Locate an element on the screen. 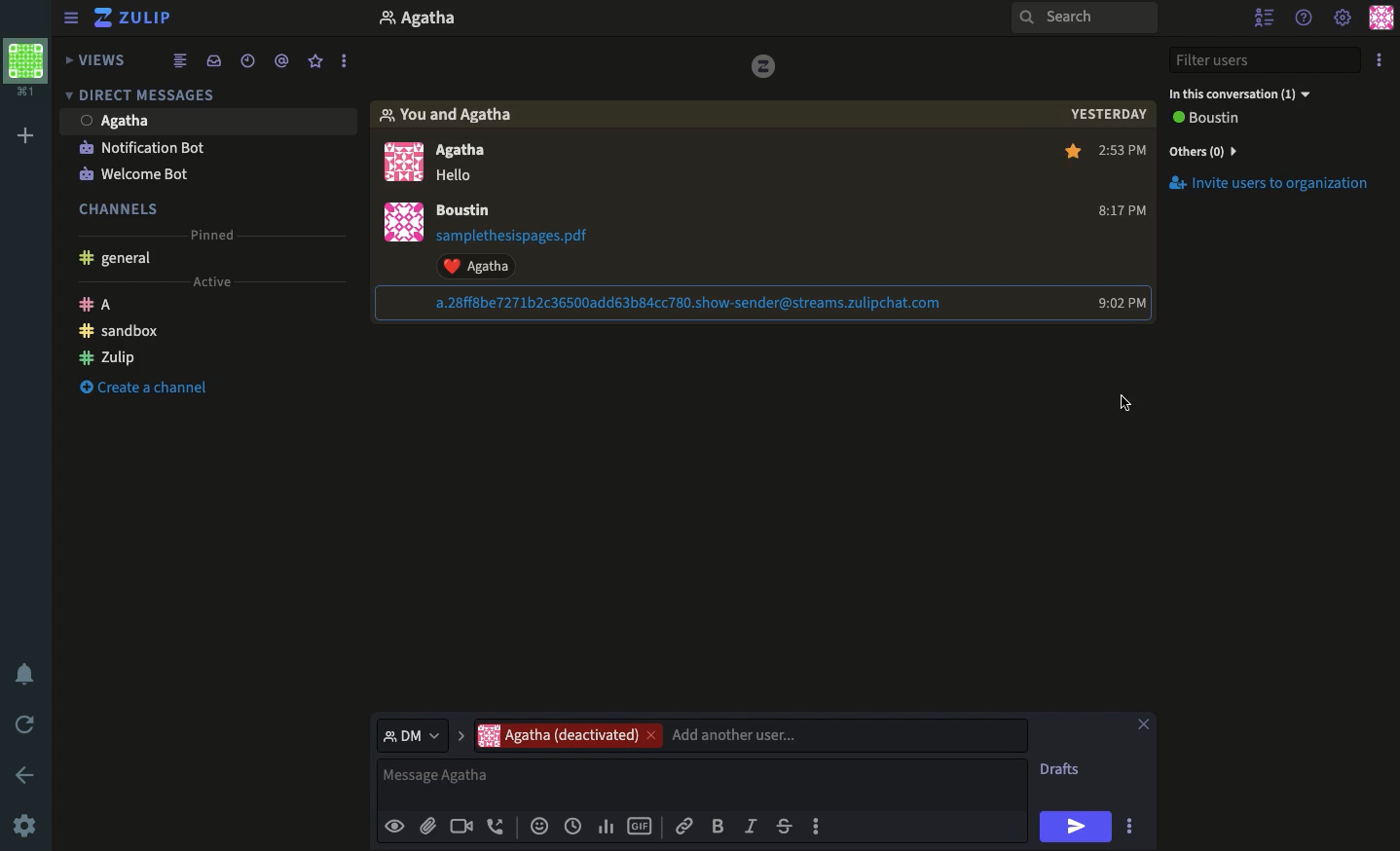 The height and width of the screenshot is (851, 1400). Reaction is located at coordinates (541, 824).